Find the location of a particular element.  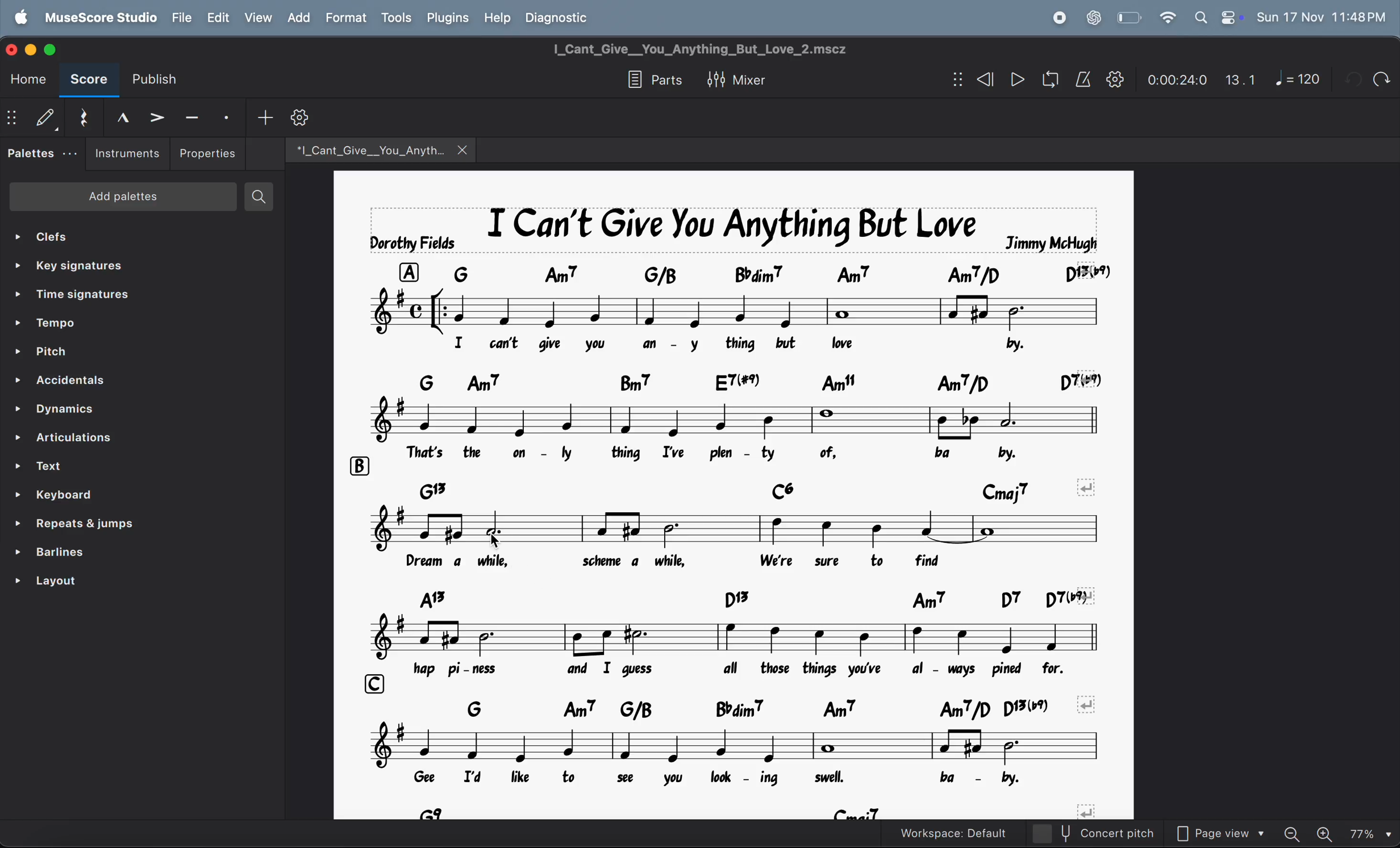

date and time is located at coordinates (1322, 16).